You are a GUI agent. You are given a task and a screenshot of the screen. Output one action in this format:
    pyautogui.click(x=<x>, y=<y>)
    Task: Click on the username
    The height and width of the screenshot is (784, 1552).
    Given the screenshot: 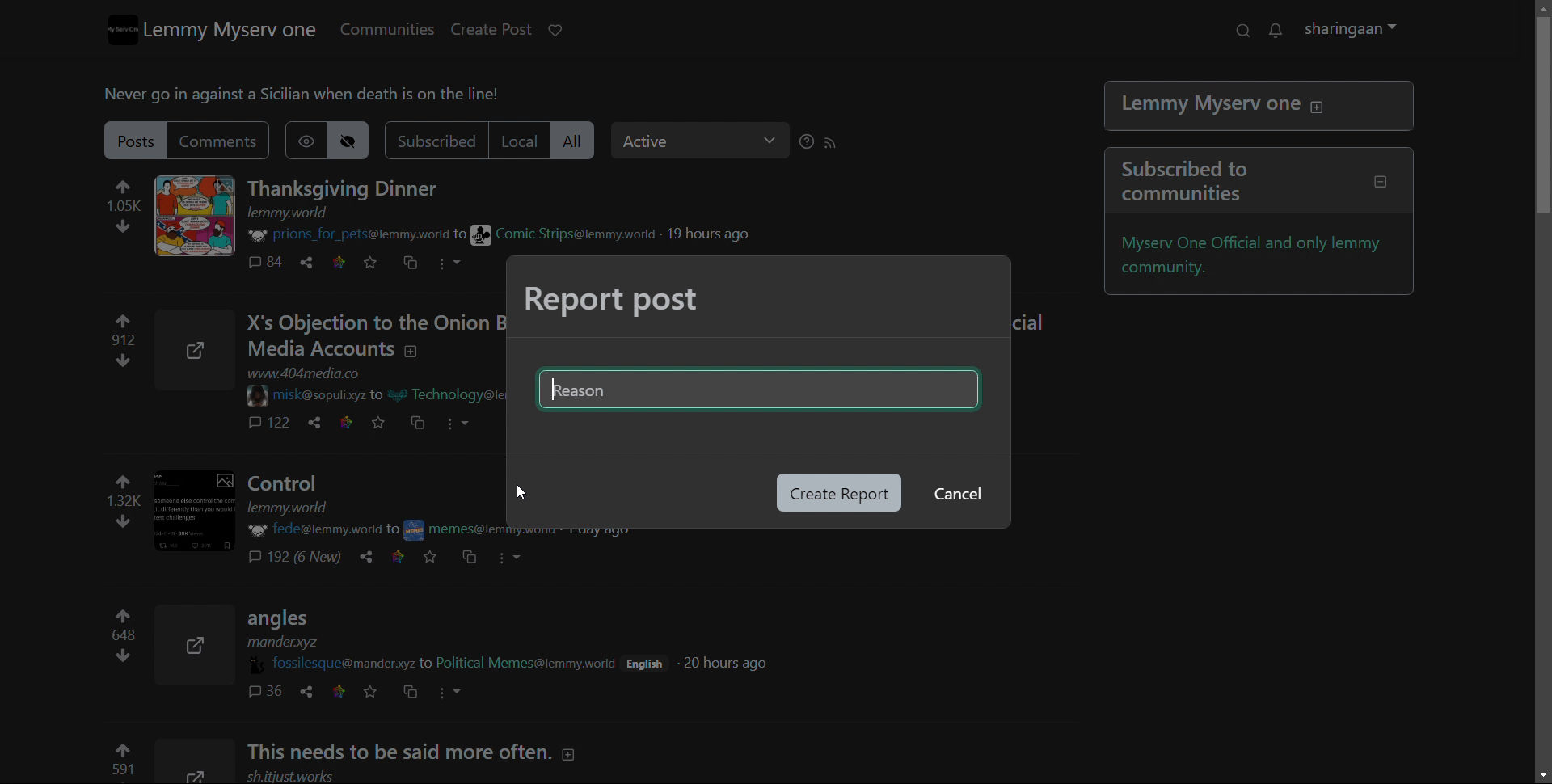 What is the action you would take?
    pyautogui.click(x=359, y=236)
    